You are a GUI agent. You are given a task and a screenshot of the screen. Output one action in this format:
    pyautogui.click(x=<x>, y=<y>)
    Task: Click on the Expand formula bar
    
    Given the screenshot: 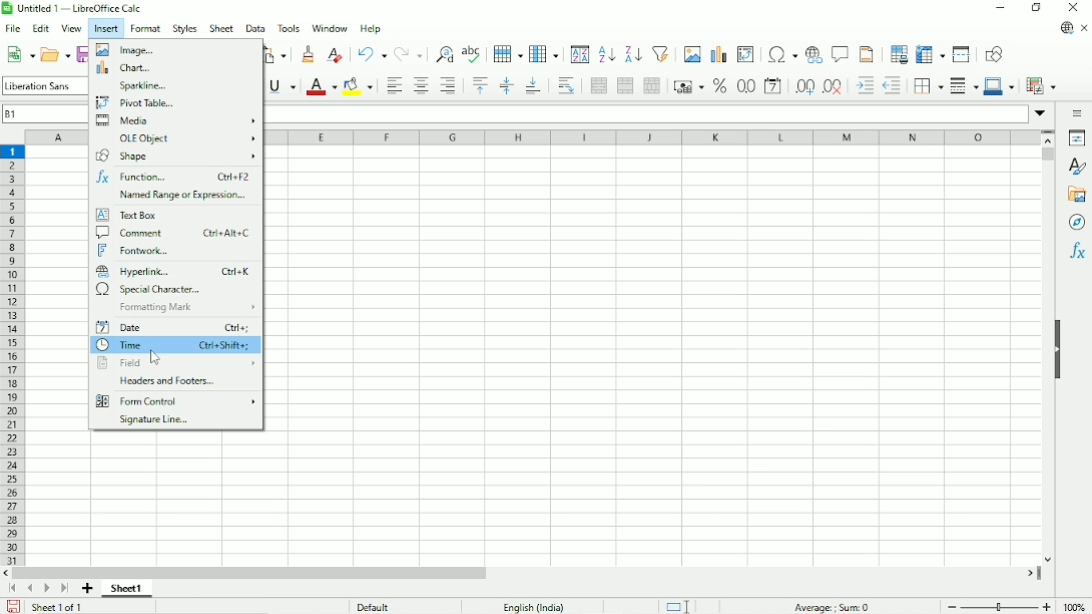 What is the action you would take?
    pyautogui.click(x=1040, y=114)
    